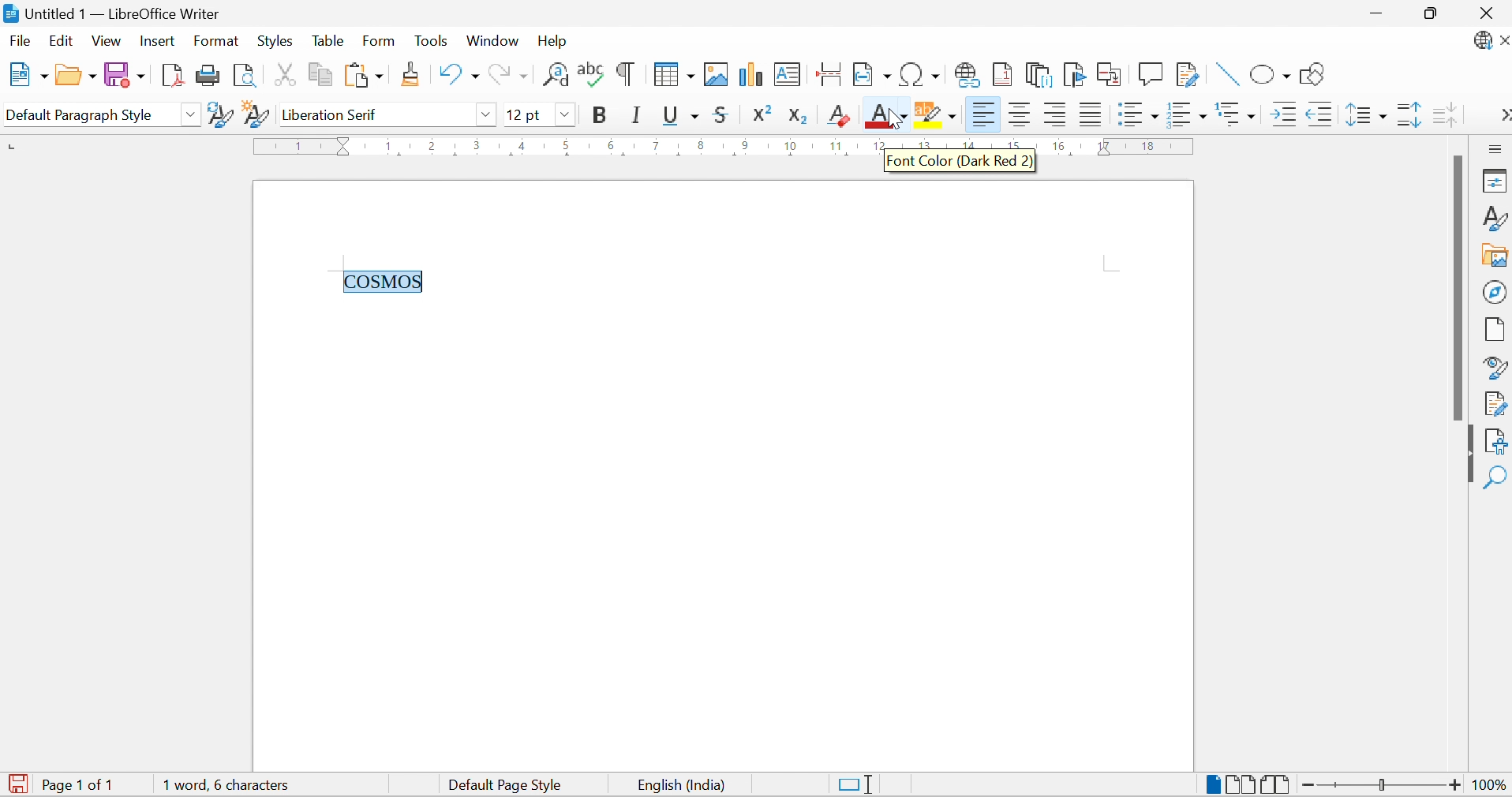 The width and height of the screenshot is (1512, 797). What do you see at coordinates (219, 114) in the screenshot?
I see `Update Selected Style` at bounding box center [219, 114].